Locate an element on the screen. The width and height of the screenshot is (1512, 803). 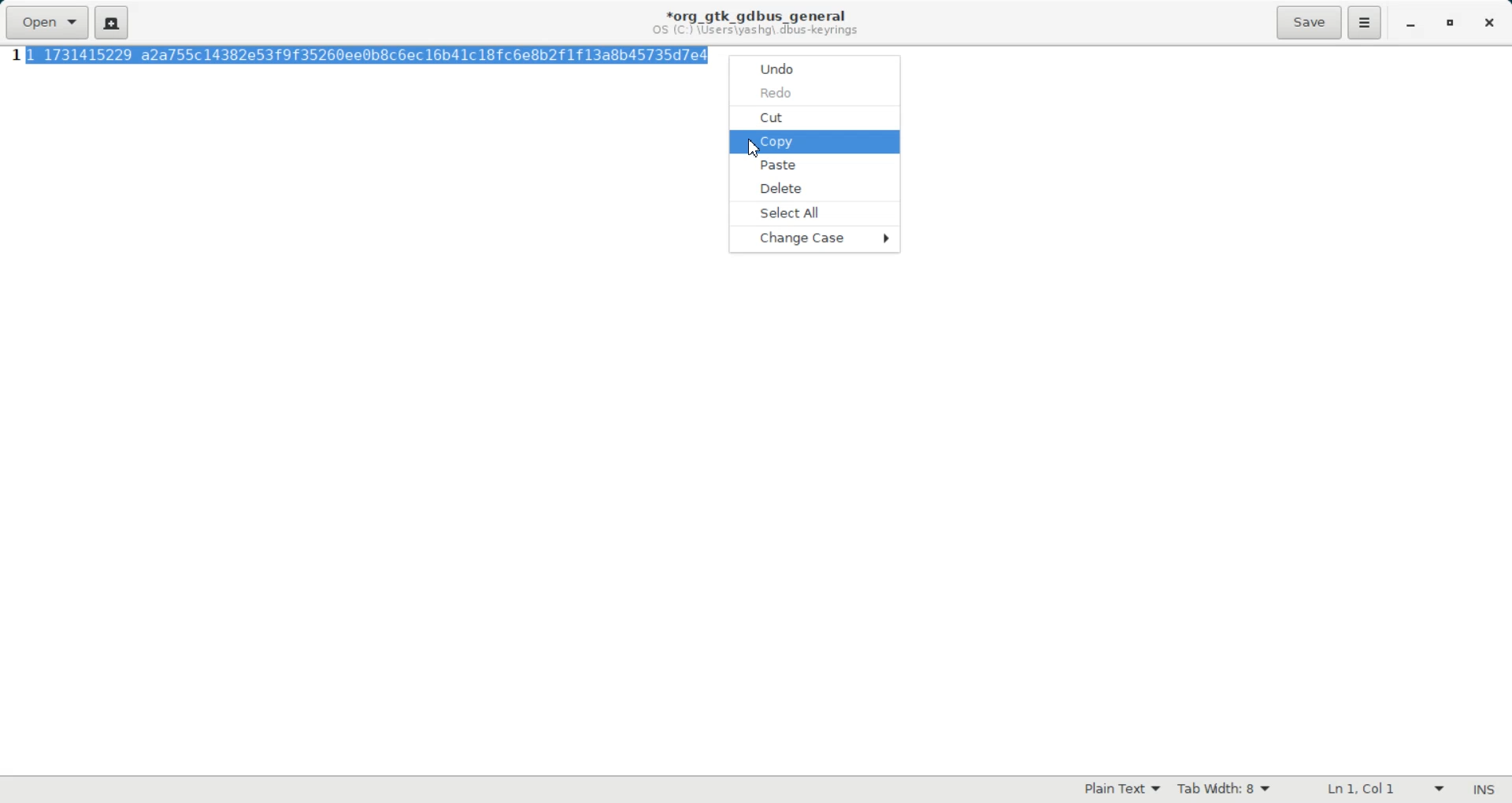
Open a file is located at coordinates (46, 22).